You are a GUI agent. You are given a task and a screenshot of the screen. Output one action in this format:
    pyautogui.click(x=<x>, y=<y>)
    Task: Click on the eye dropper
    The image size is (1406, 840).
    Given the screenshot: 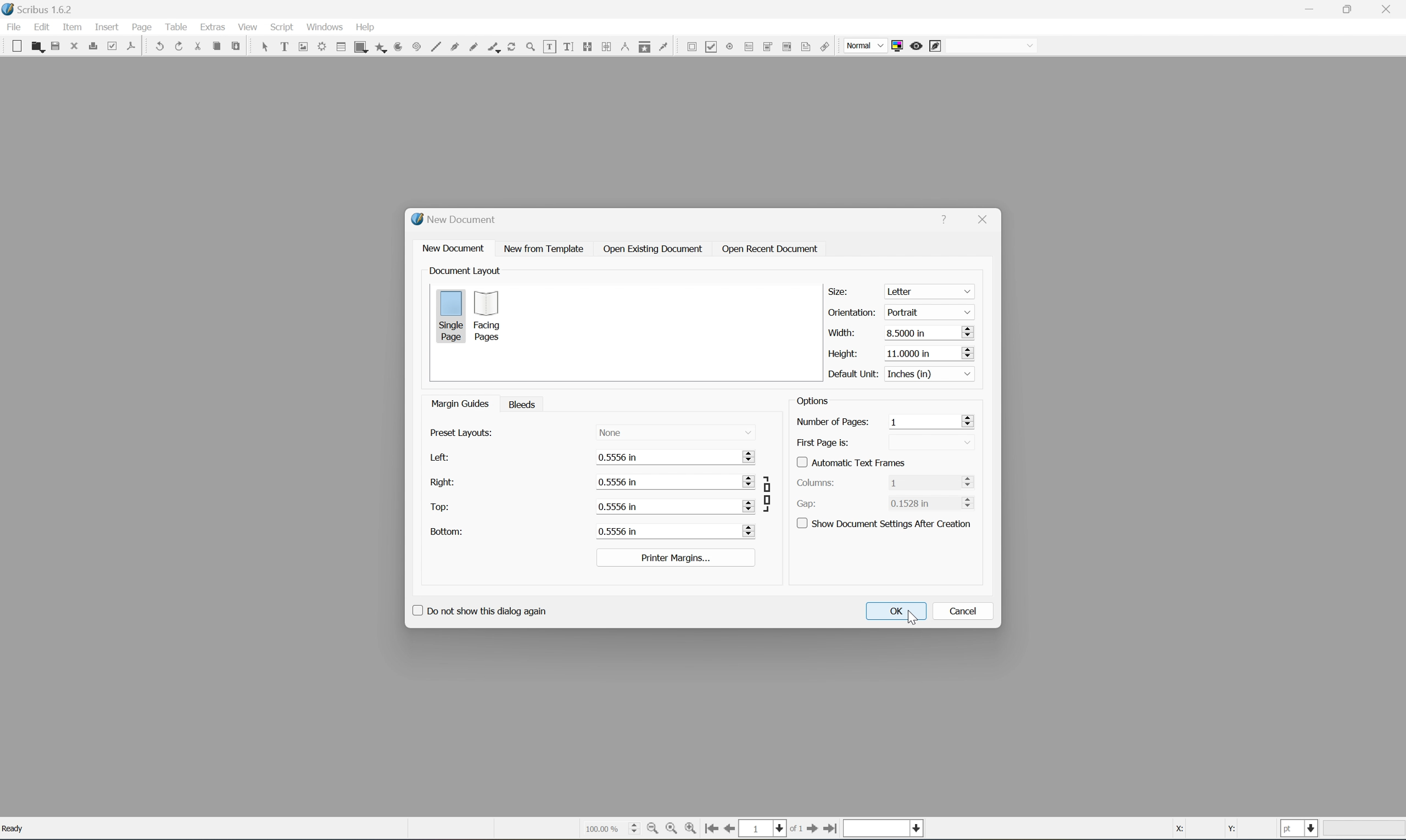 What is the action you would take?
    pyautogui.click(x=665, y=46)
    